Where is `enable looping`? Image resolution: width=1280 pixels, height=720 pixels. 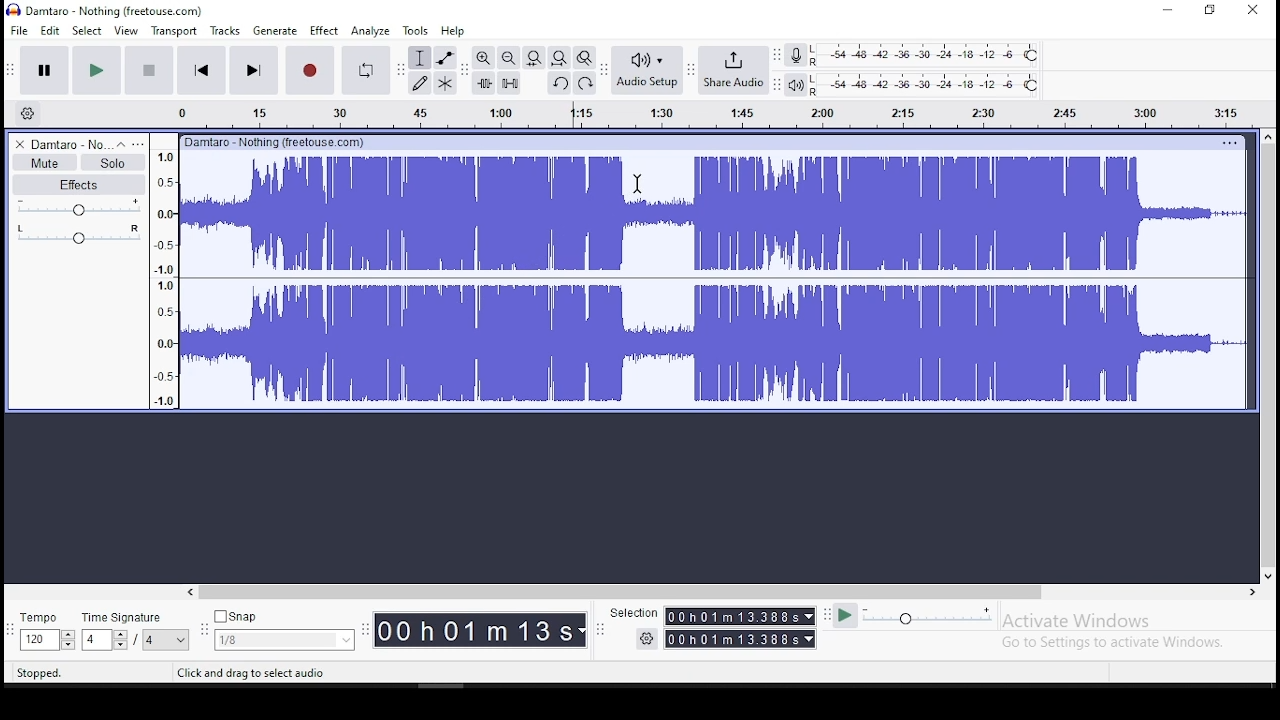 enable looping is located at coordinates (366, 69).